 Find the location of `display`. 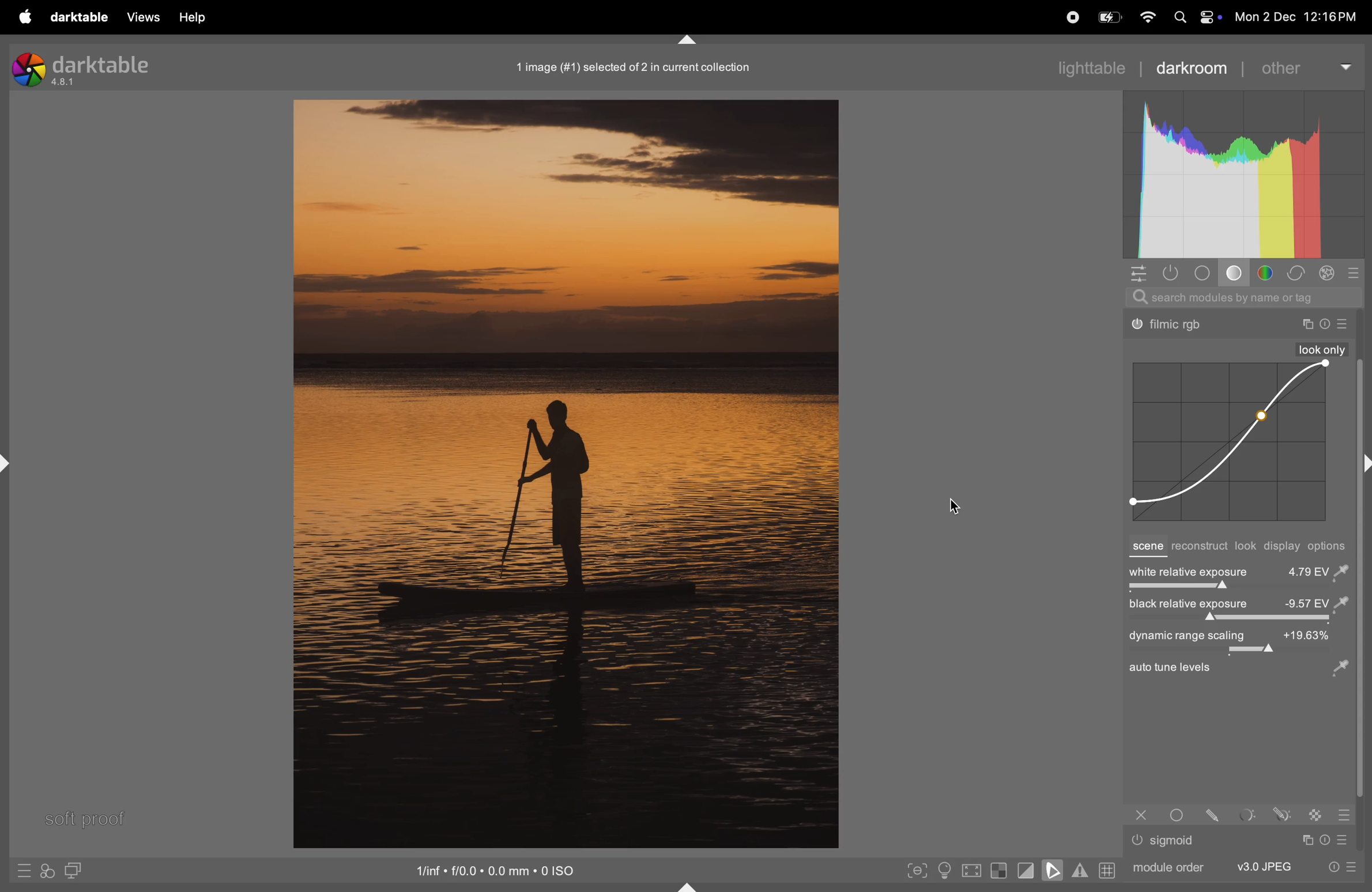

display is located at coordinates (1283, 547).